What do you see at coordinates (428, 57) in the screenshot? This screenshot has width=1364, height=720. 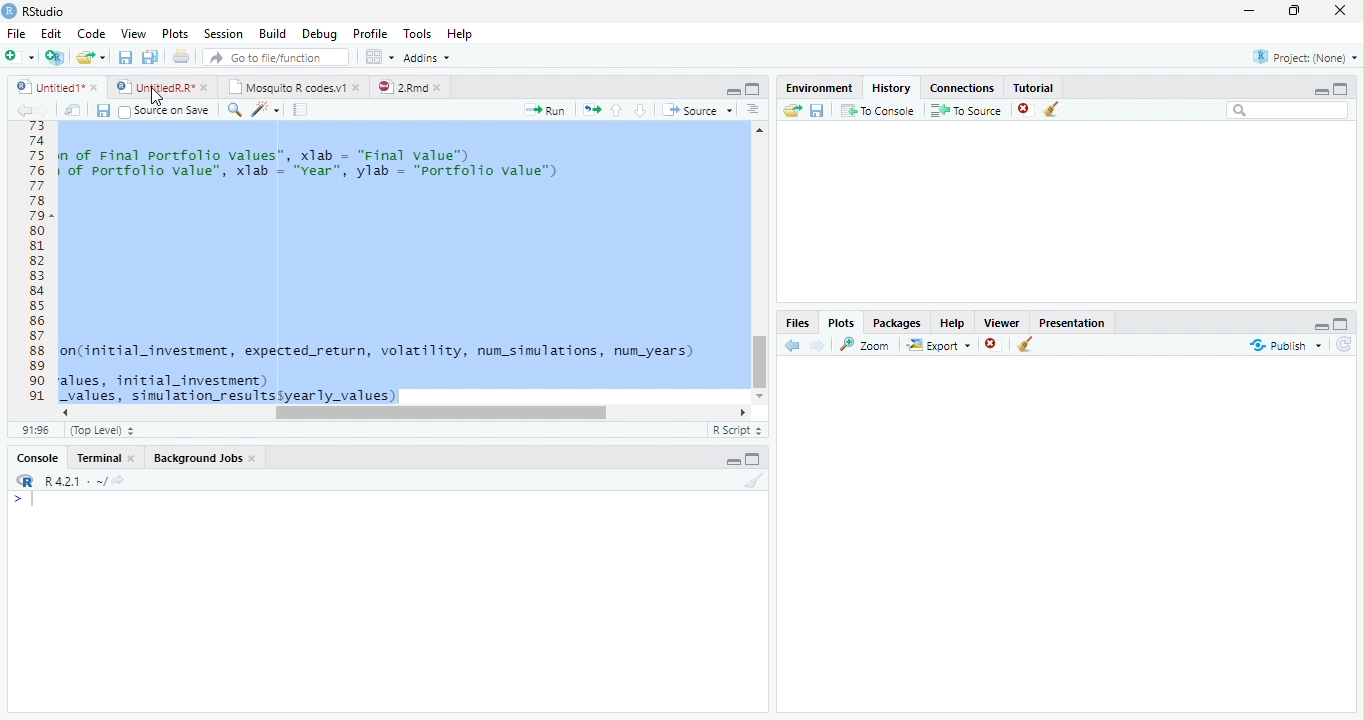 I see `Addins` at bounding box center [428, 57].